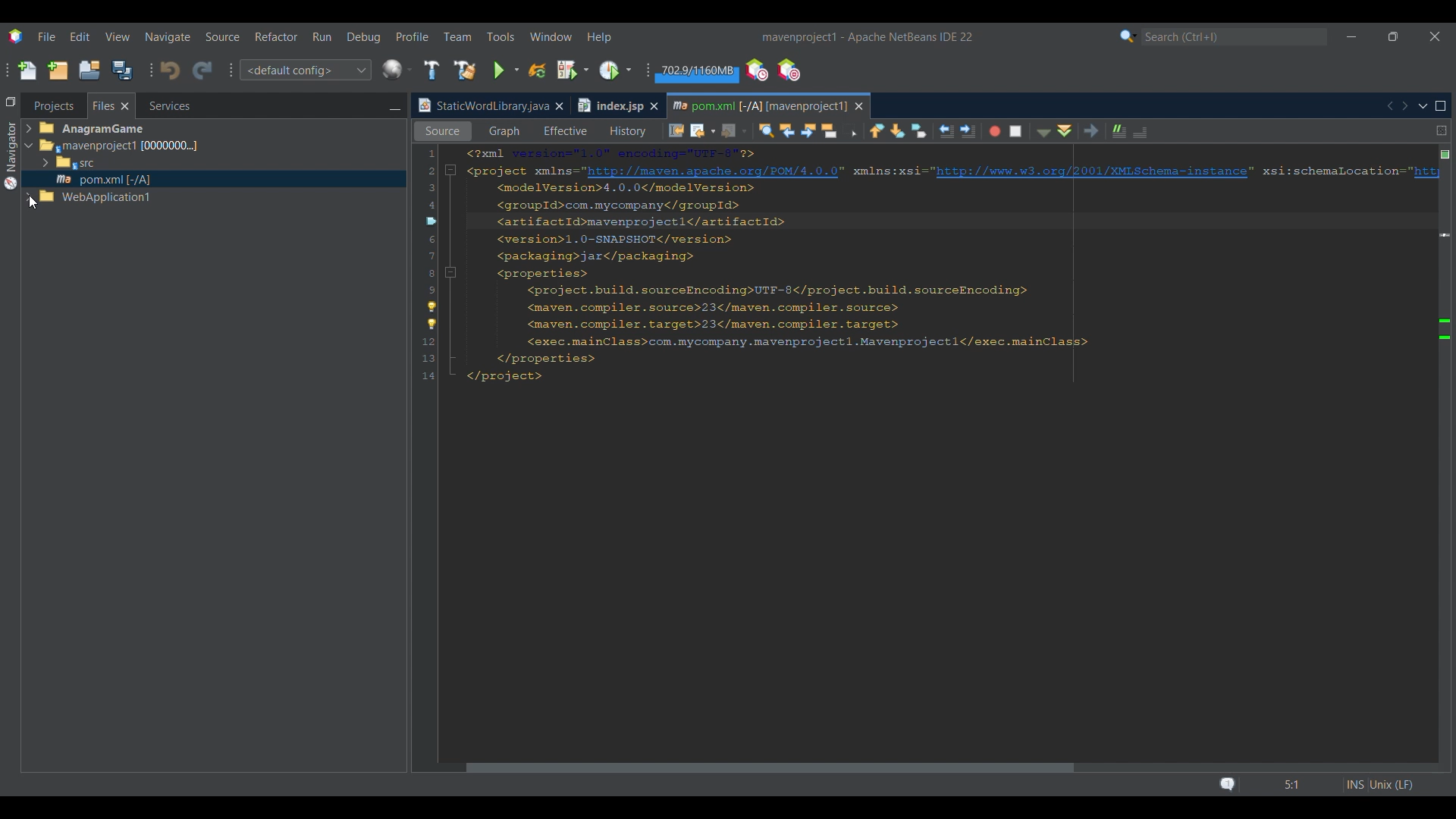  What do you see at coordinates (431, 70) in the screenshot?
I see `Build main project` at bounding box center [431, 70].